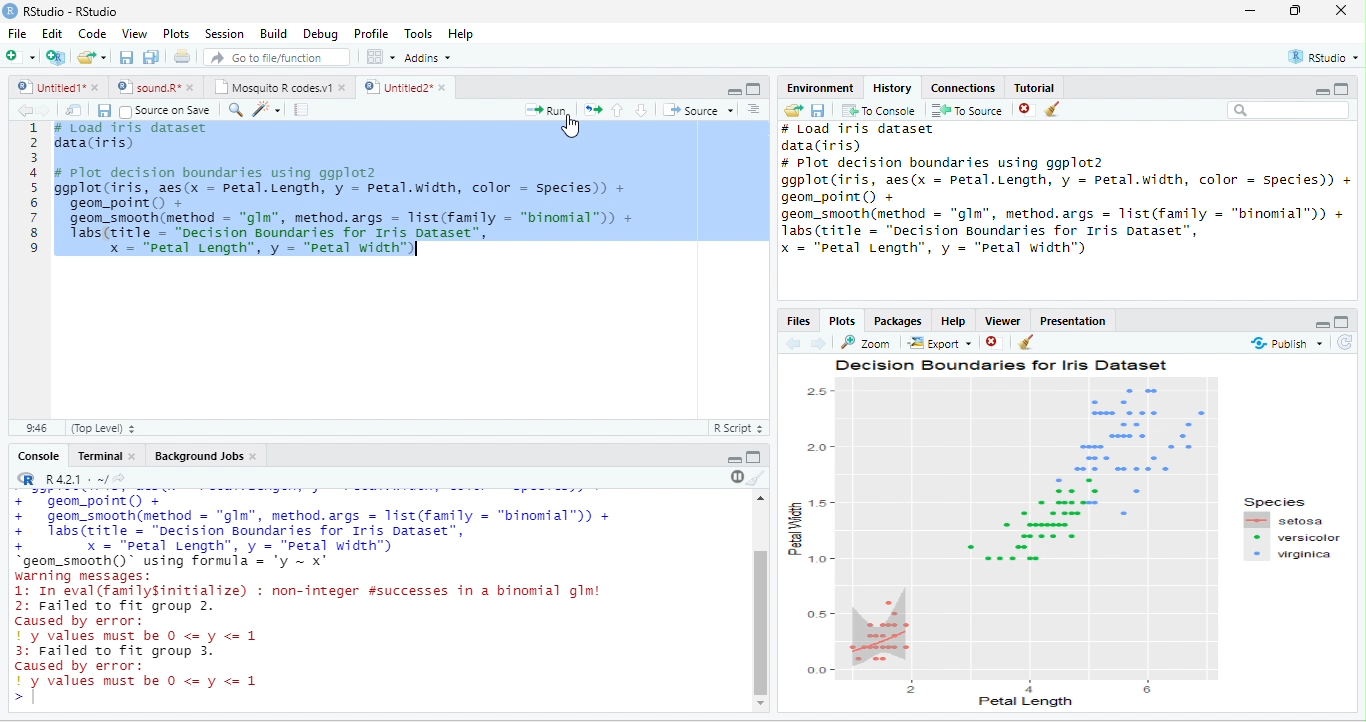 The image size is (1366, 722). I want to click on close, so click(192, 88).